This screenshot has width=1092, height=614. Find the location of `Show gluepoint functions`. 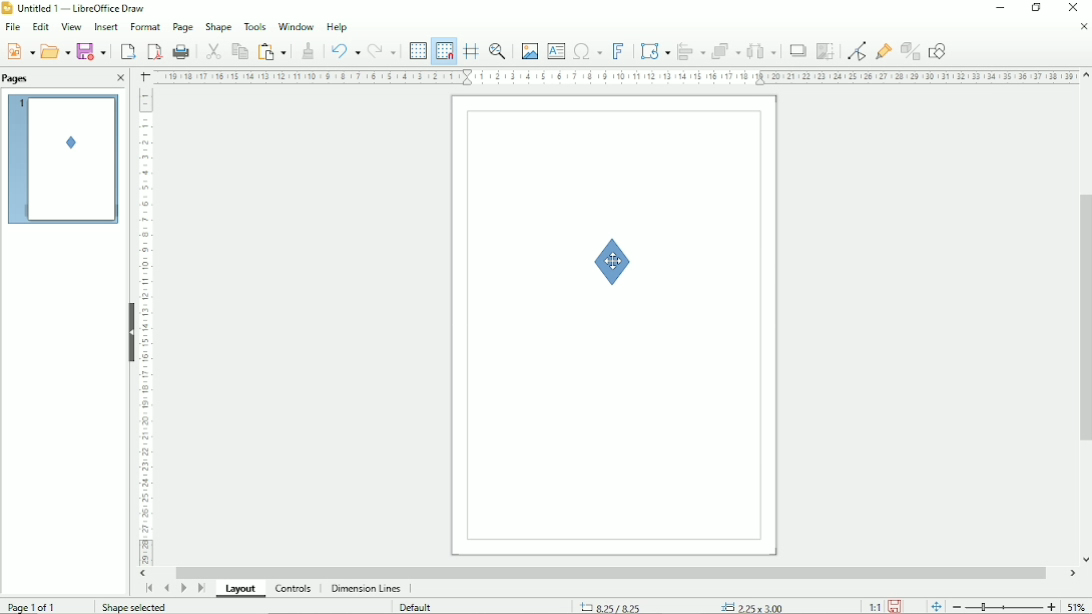

Show gluepoint functions is located at coordinates (882, 50).